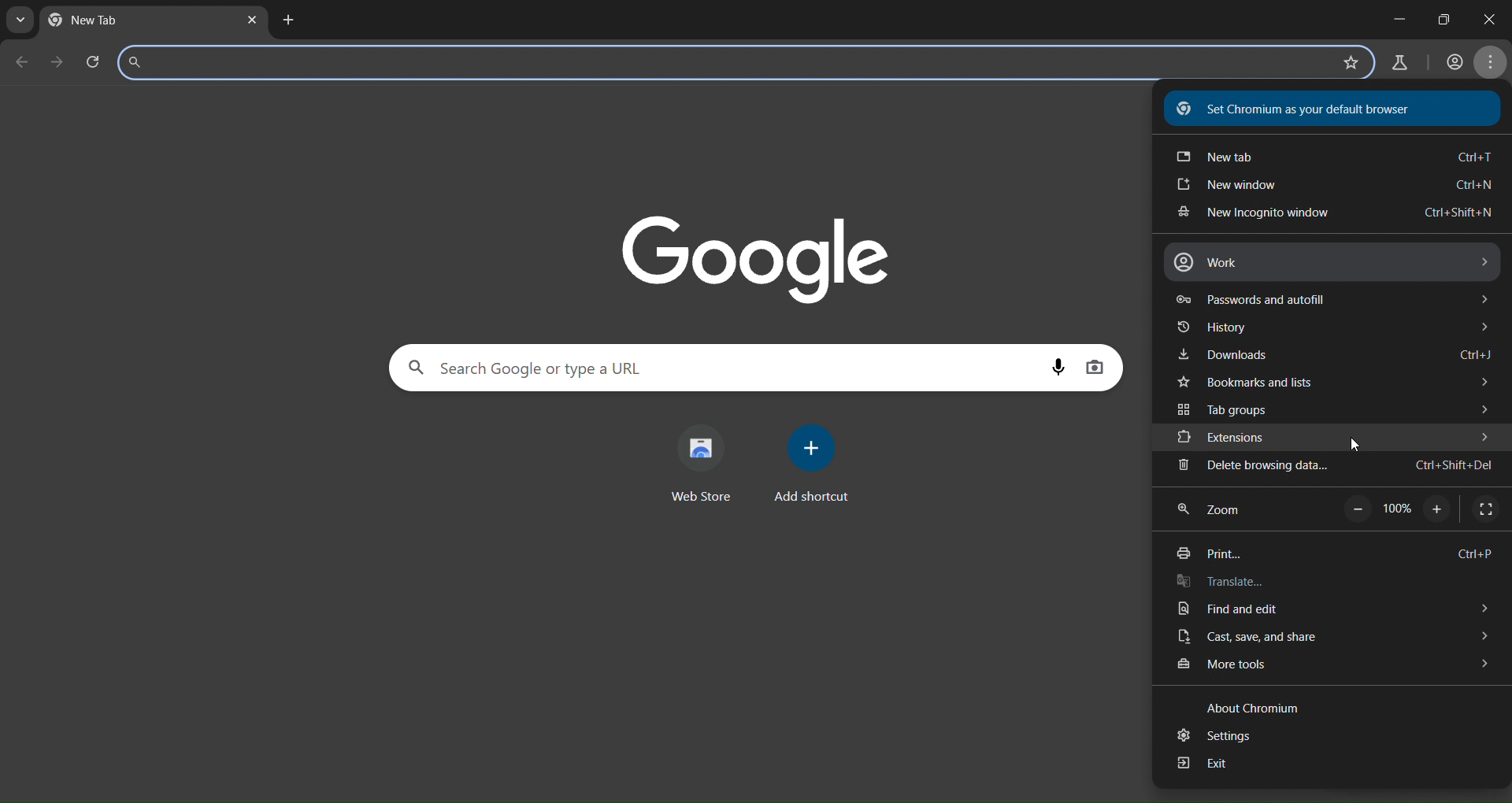  Describe the element at coordinates (290, 21) in the screenshot. I see `new tab` at that location.